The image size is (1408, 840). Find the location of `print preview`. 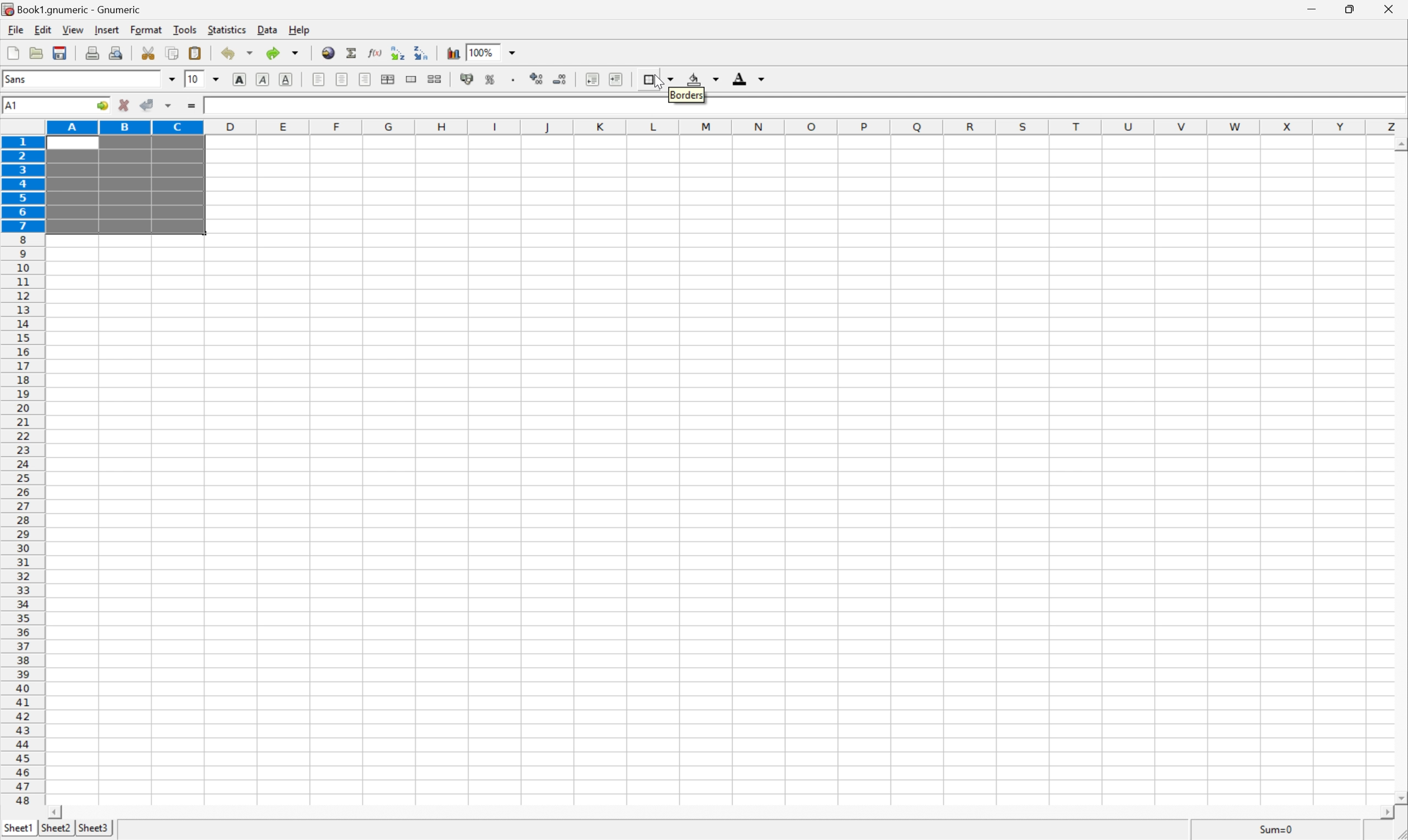

print preview is located at coordinates (116, 52).